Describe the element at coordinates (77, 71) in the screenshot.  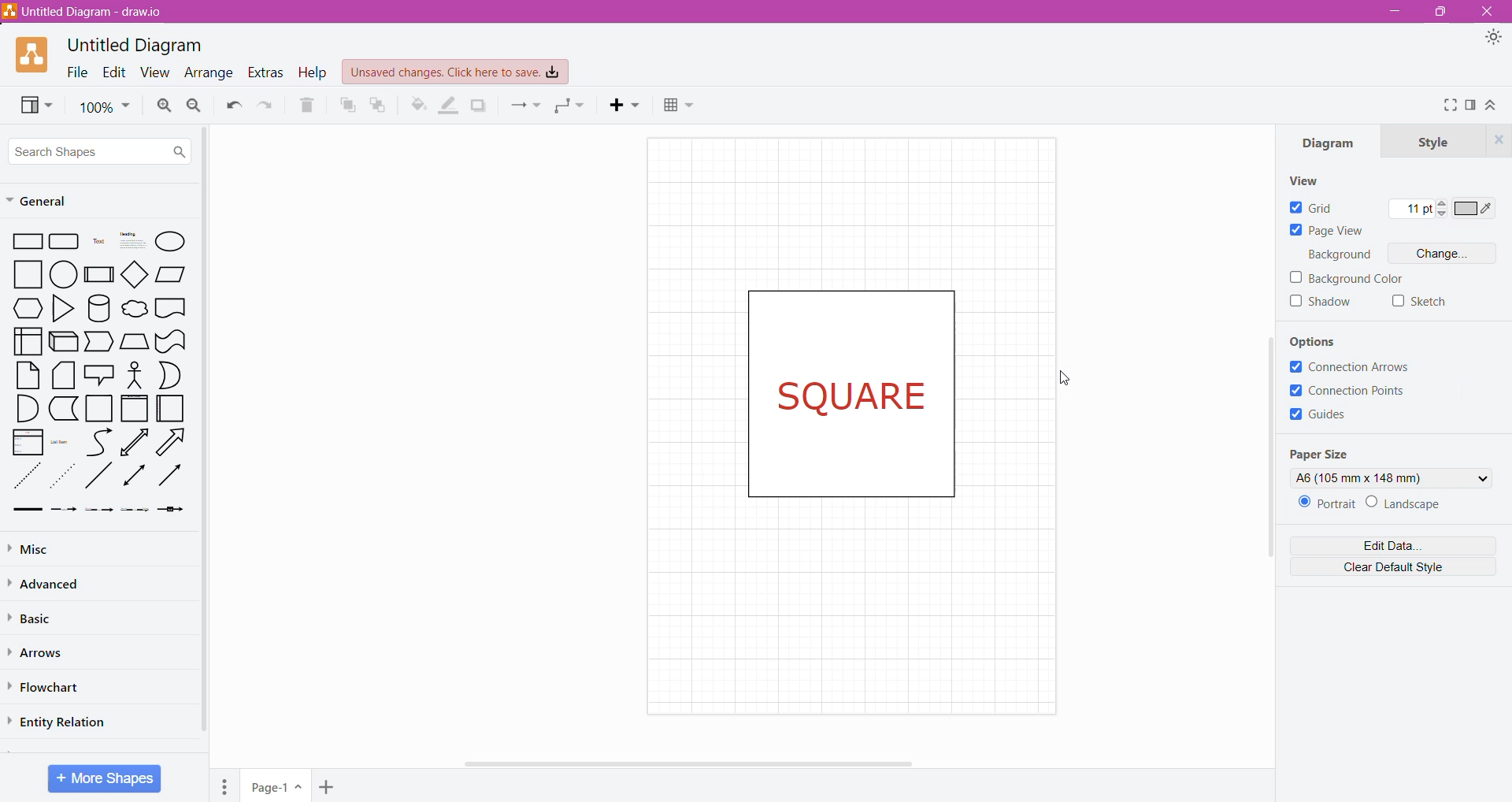
I see `File` at that location.